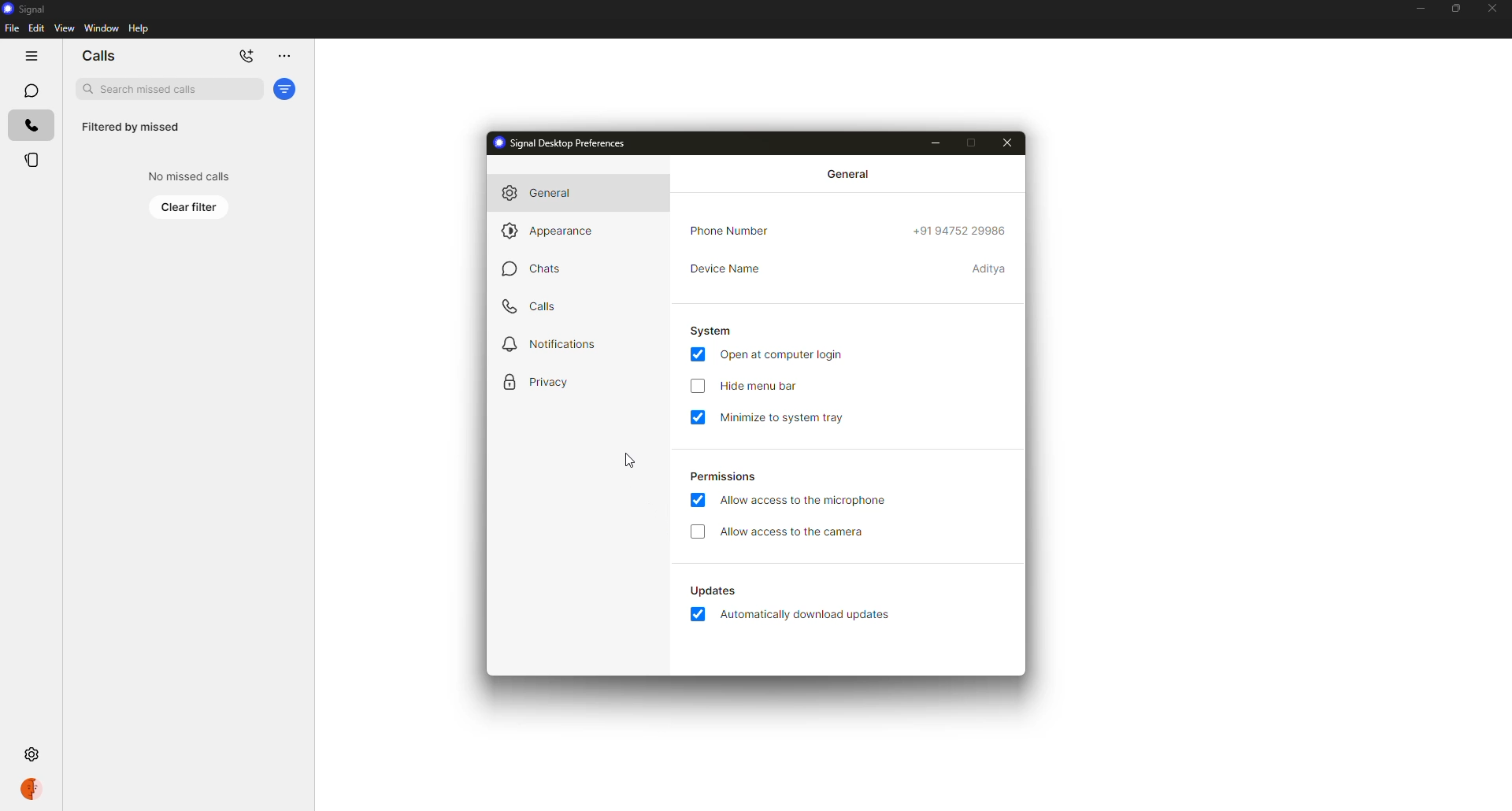  What do you see at coordinates (28, 56) in the screenshot?
I see `hide tabs` at bounding box center [28, 56].